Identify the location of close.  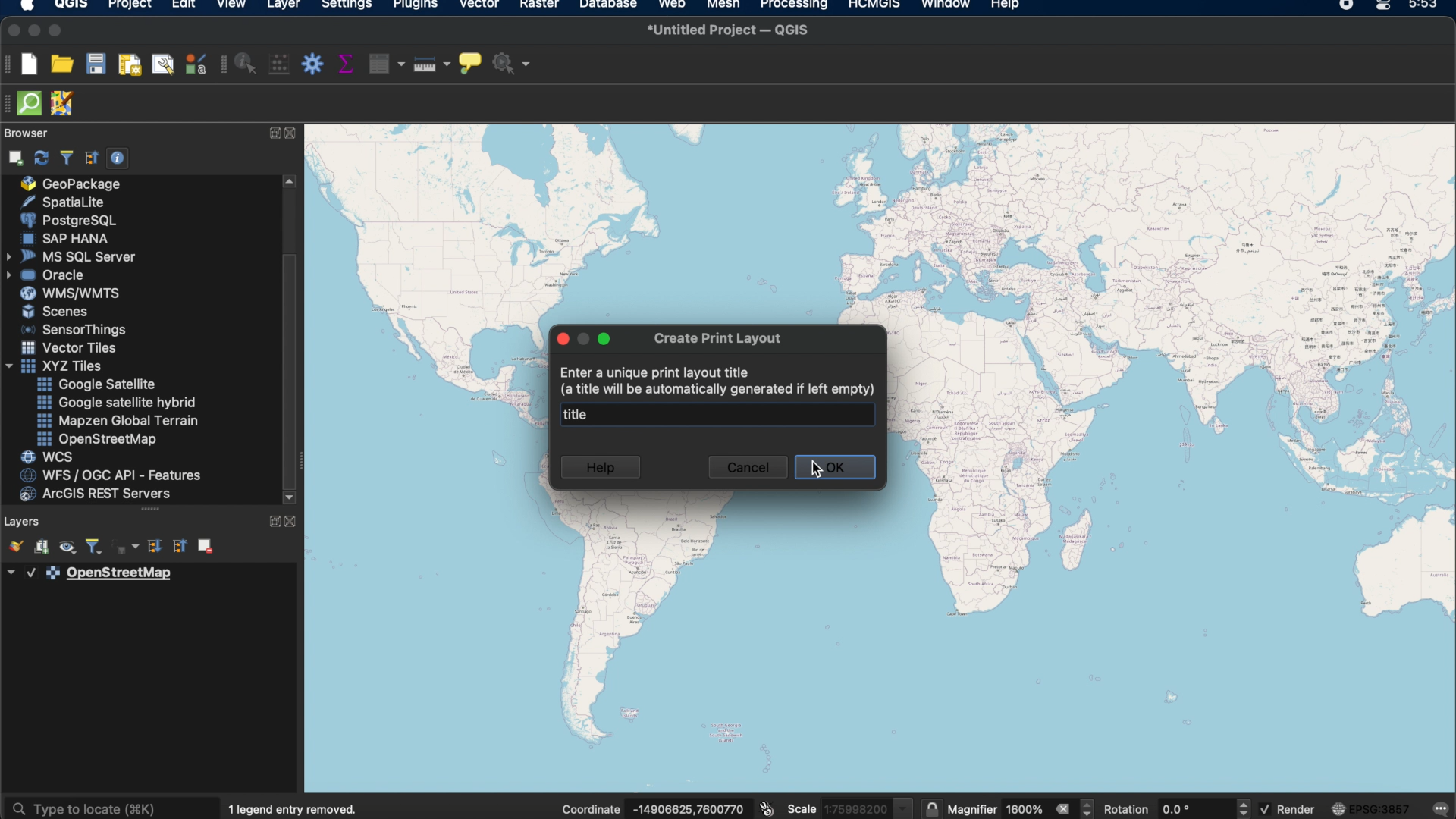
(294, 522).